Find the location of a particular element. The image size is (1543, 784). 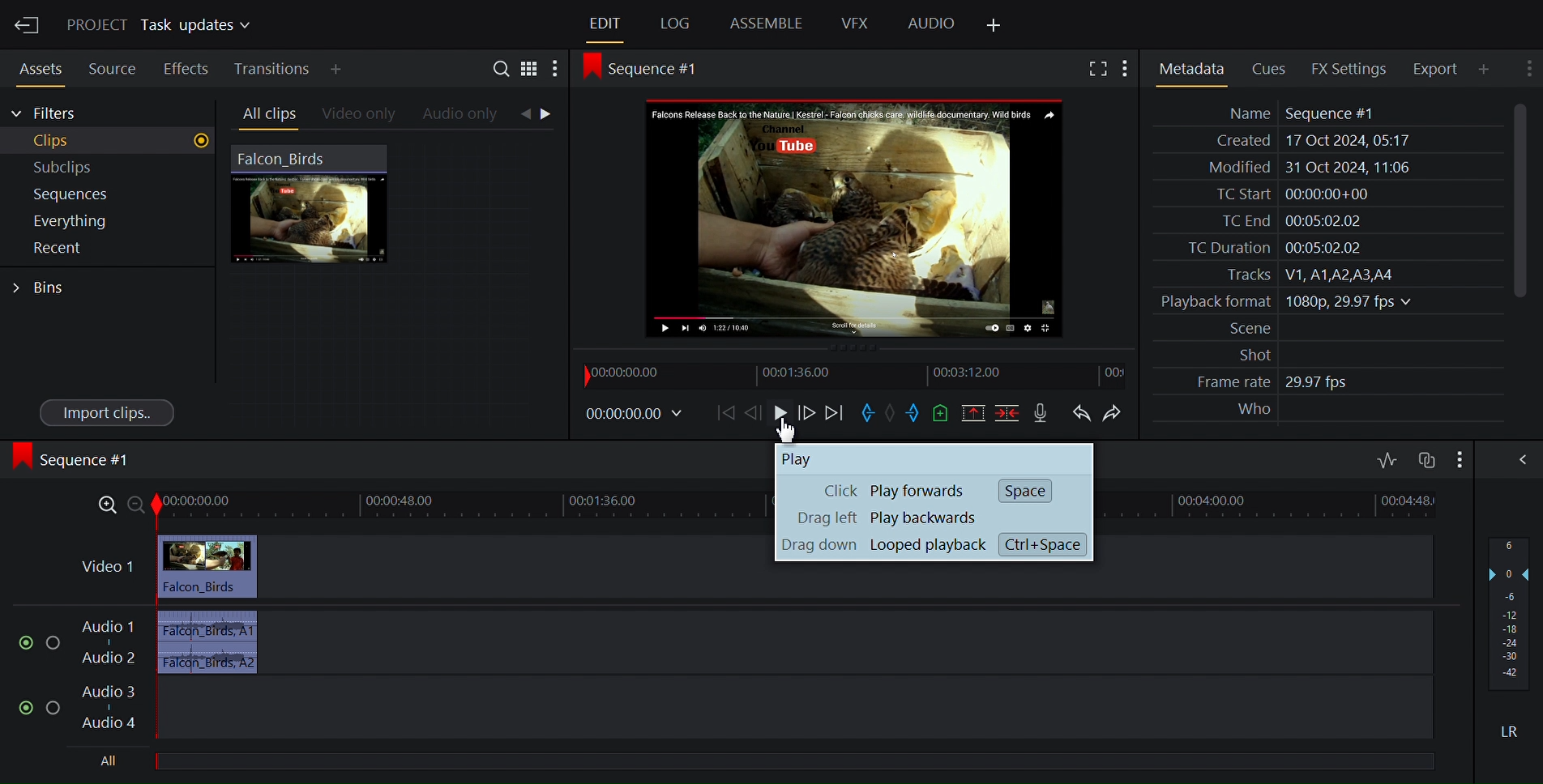

Redo is located at coordinates (1113, 411).